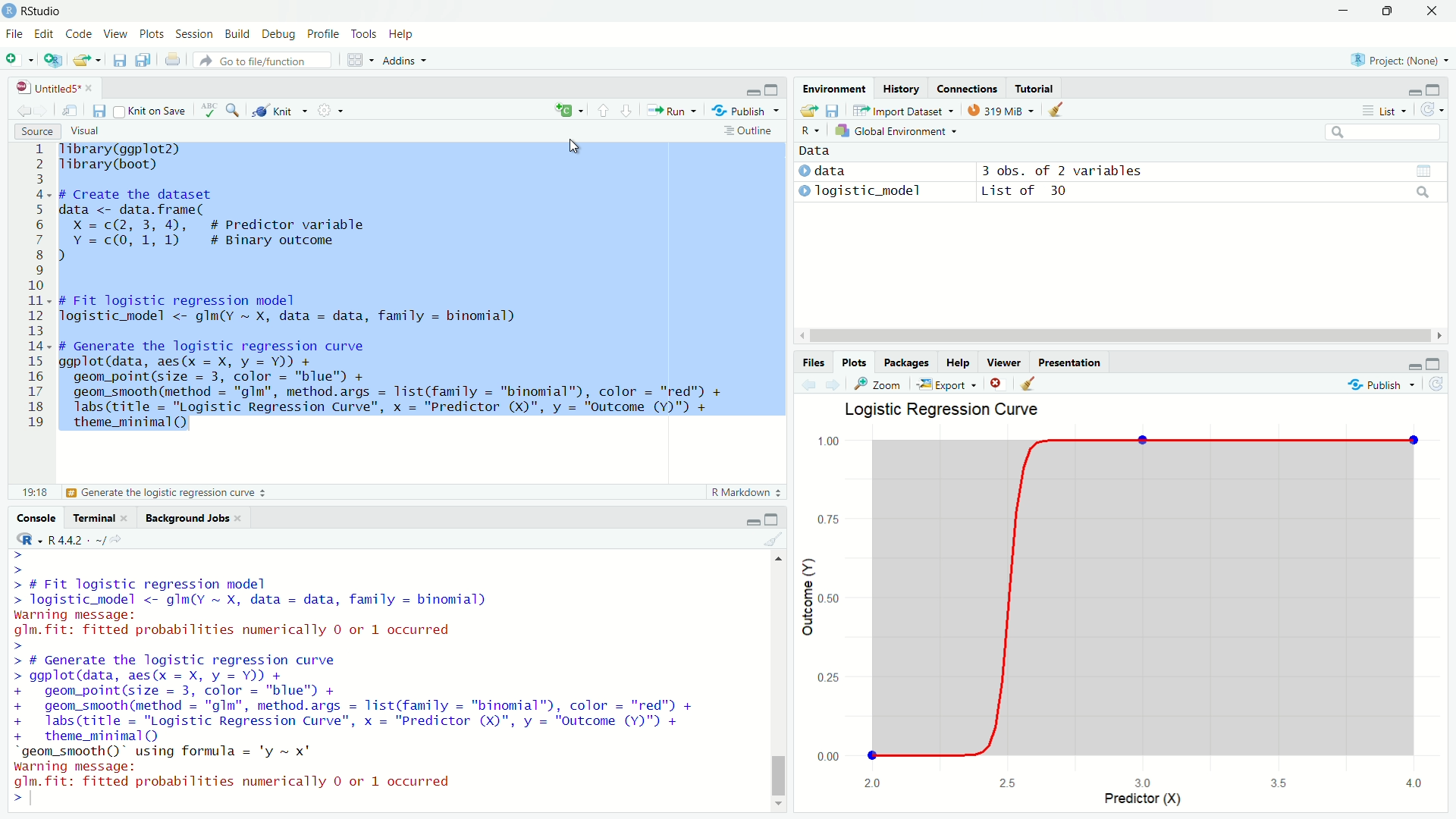 Image resolution: width=1456 pixels, height=819 pixels. I want to click on maximize, so click(1433, 364).